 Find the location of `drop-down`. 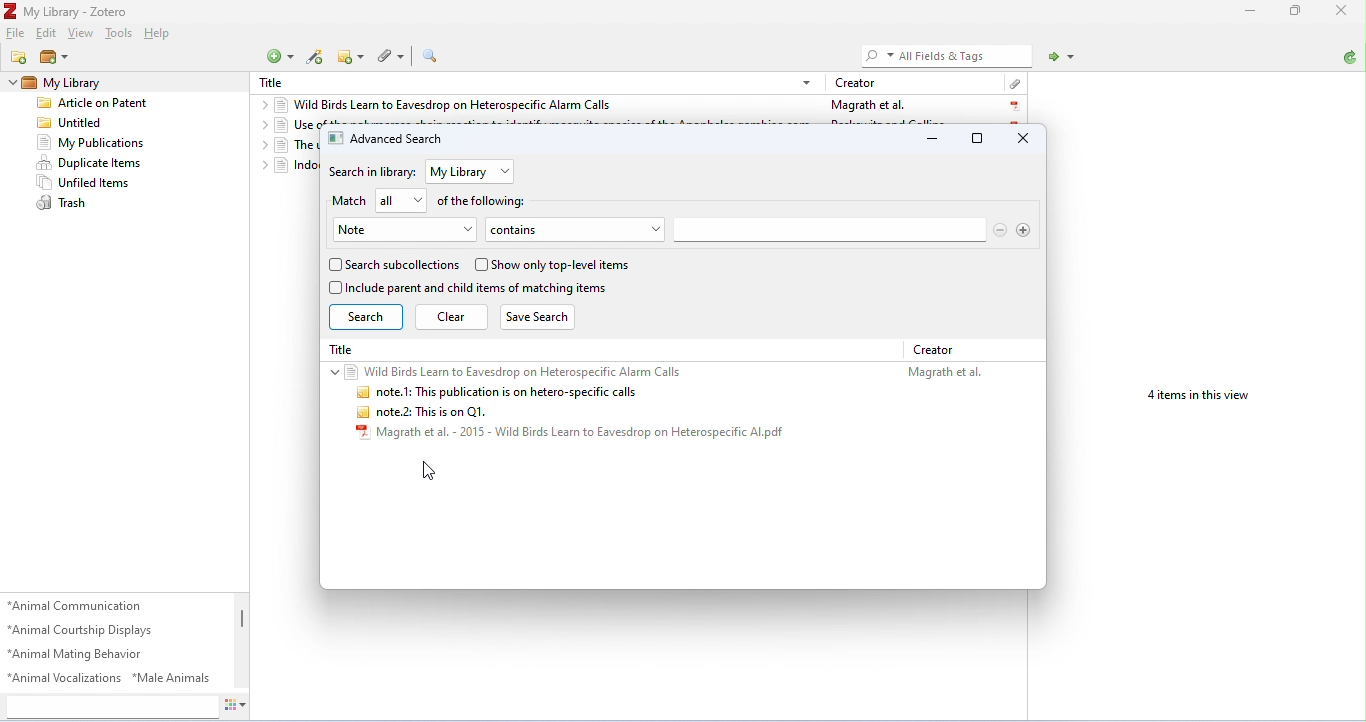

drop-down is located at coordinates (468, 230).